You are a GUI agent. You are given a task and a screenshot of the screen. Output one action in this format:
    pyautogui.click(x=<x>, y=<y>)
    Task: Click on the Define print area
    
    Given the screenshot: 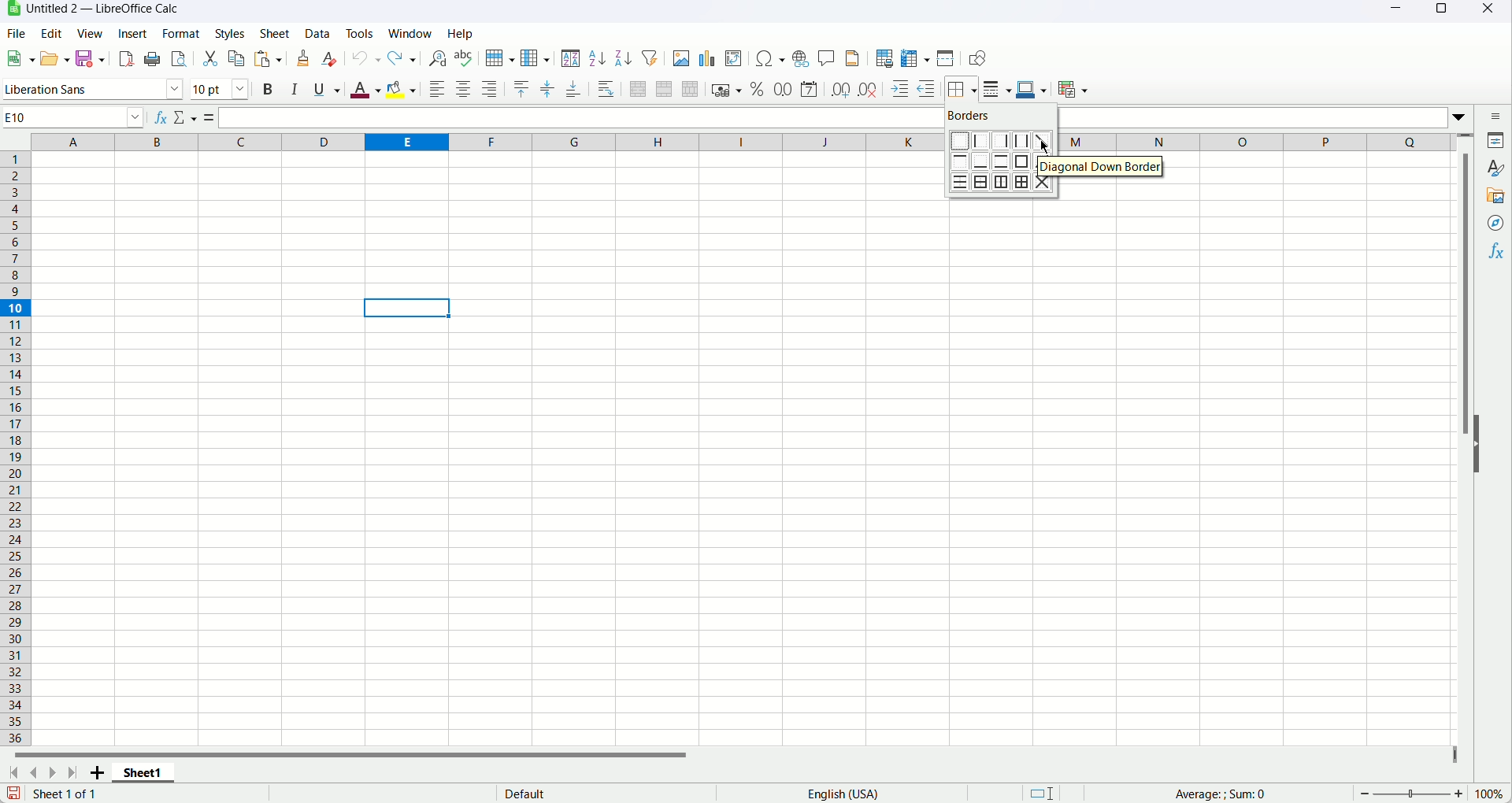 What is the action you would take?
    pyautogui.click(x=884, y=57)
    